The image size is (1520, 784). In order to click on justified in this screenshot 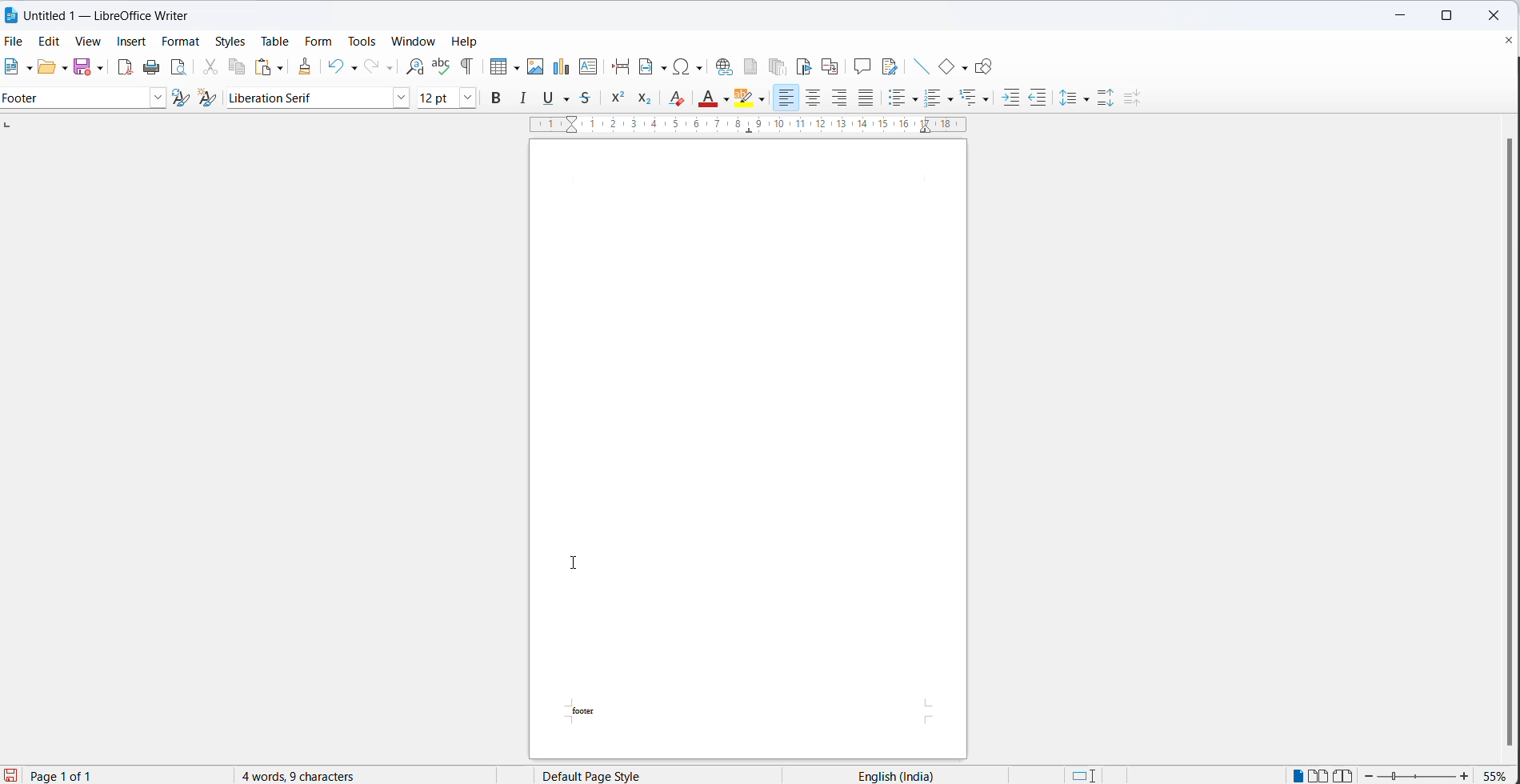, I will do `click(867, 98)`.